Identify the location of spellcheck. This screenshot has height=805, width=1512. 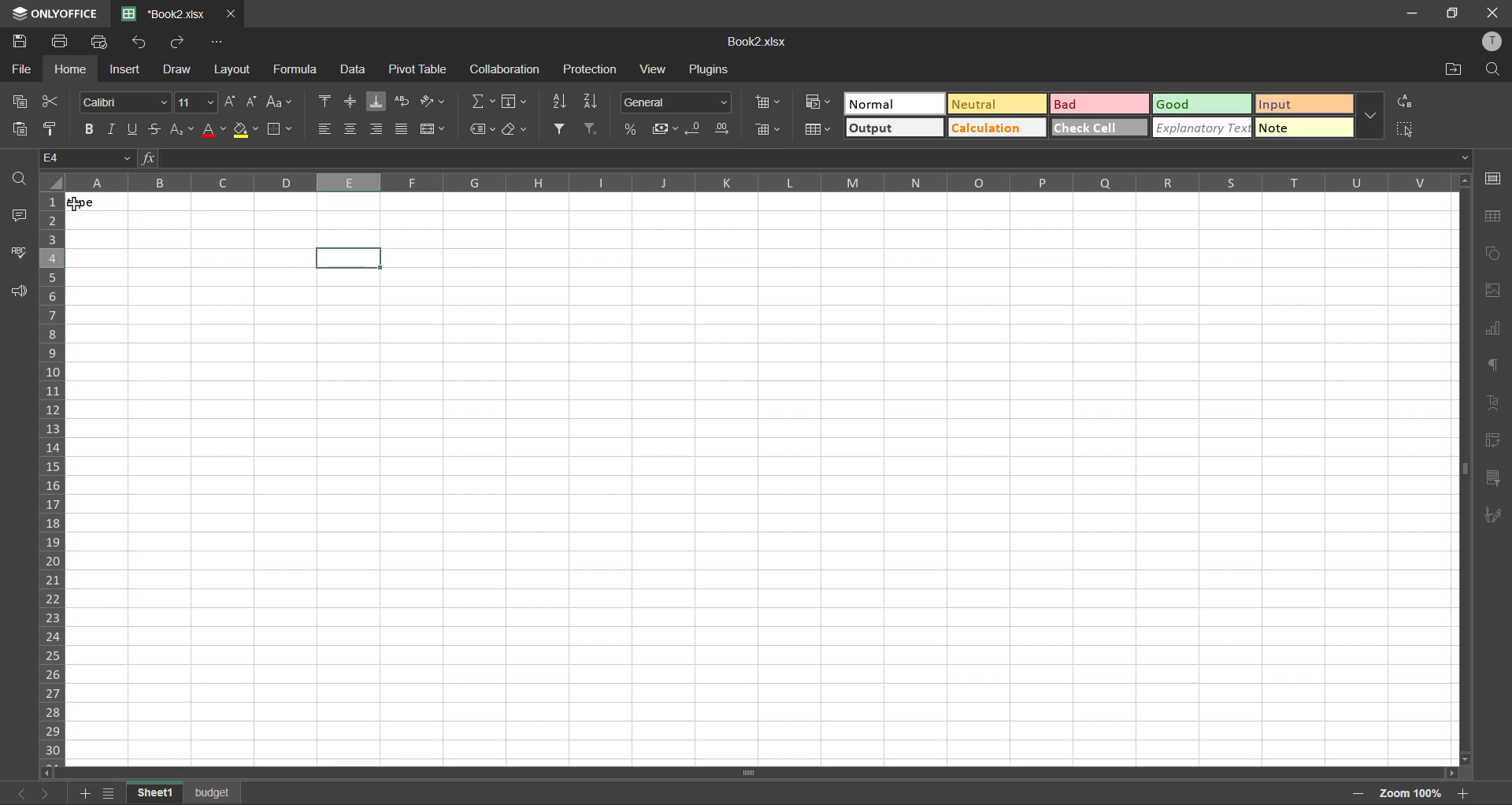
(17, 254).